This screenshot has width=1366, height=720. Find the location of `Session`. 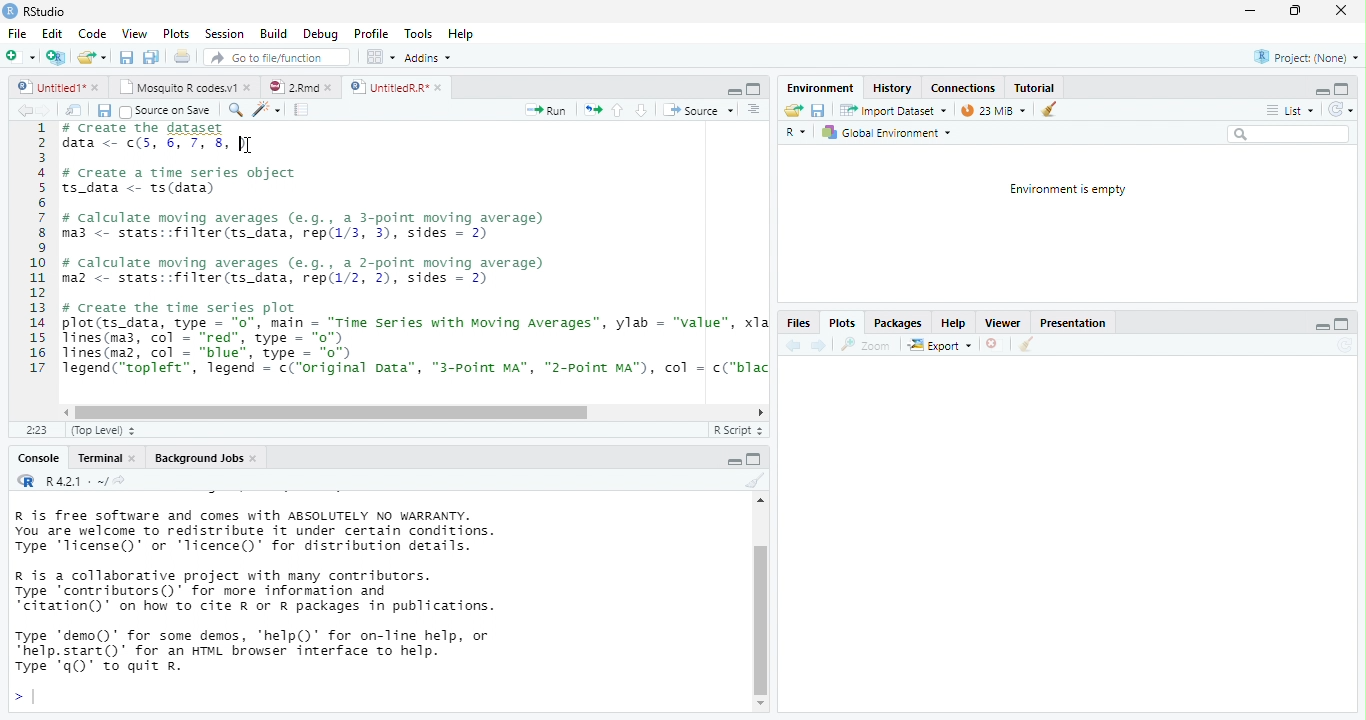

Session is located at coordinates (224, 33).